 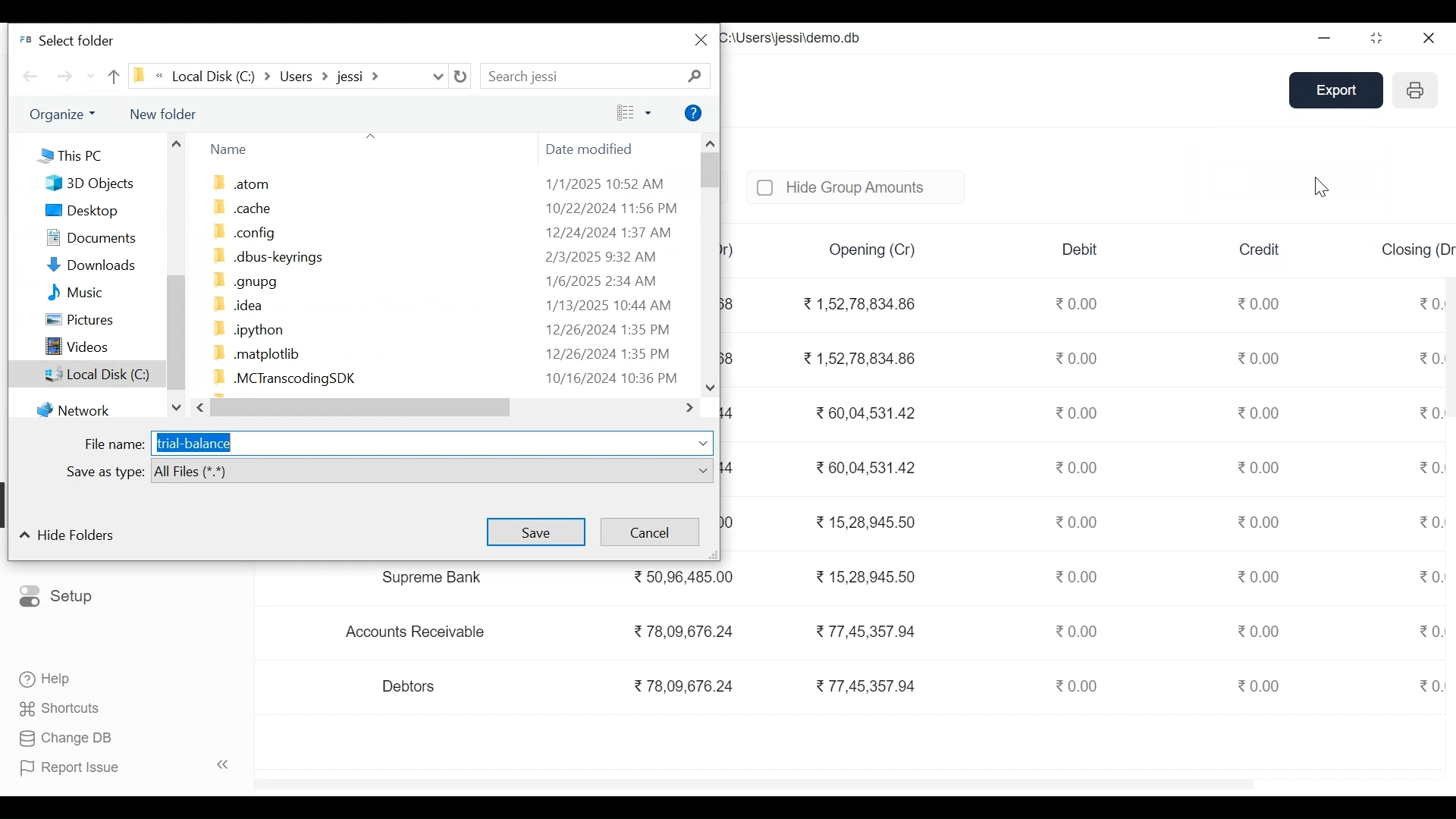 I want to click on Scroll down, so click(x=176, y=407).